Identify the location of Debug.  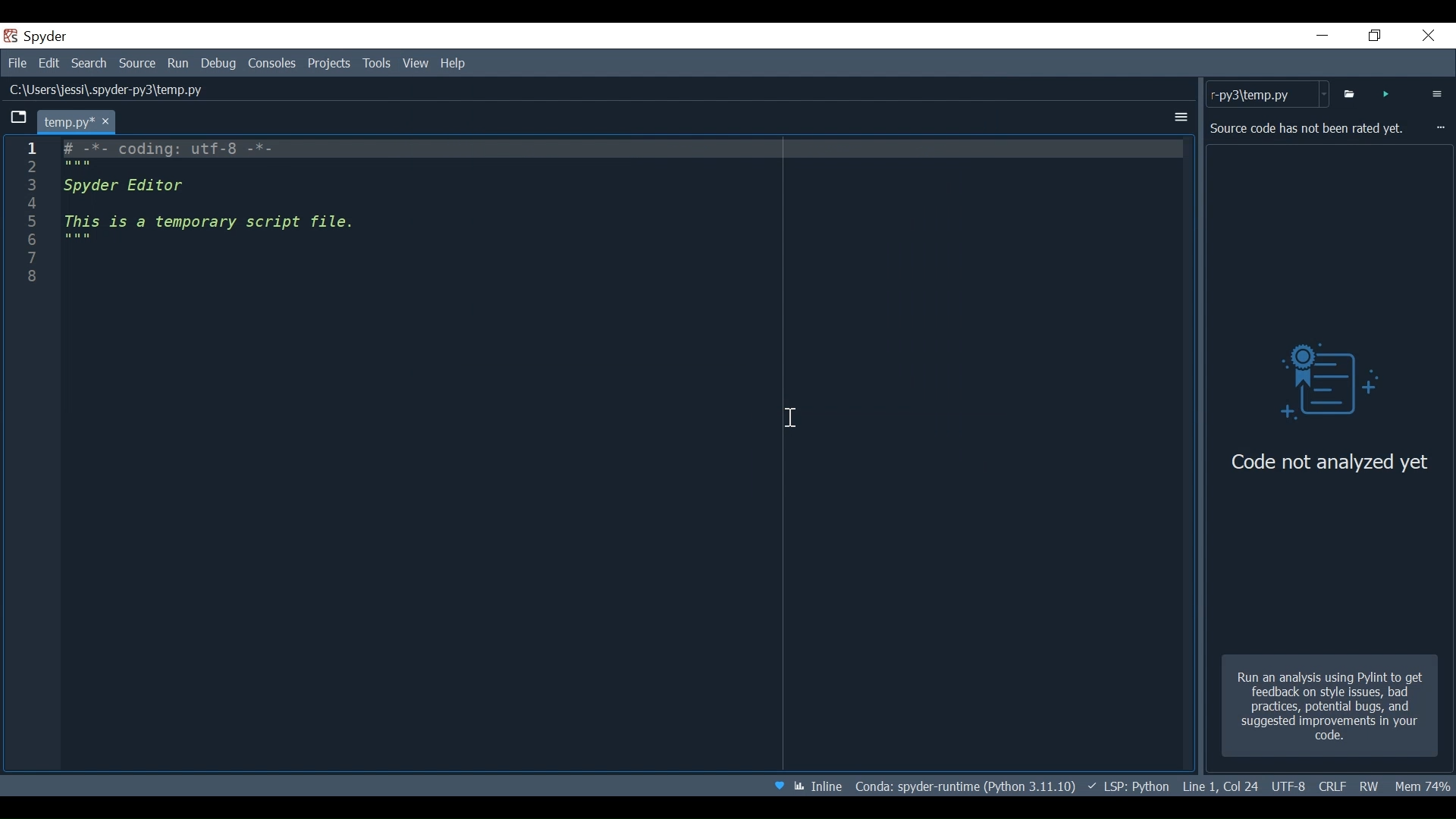
(218, 63).